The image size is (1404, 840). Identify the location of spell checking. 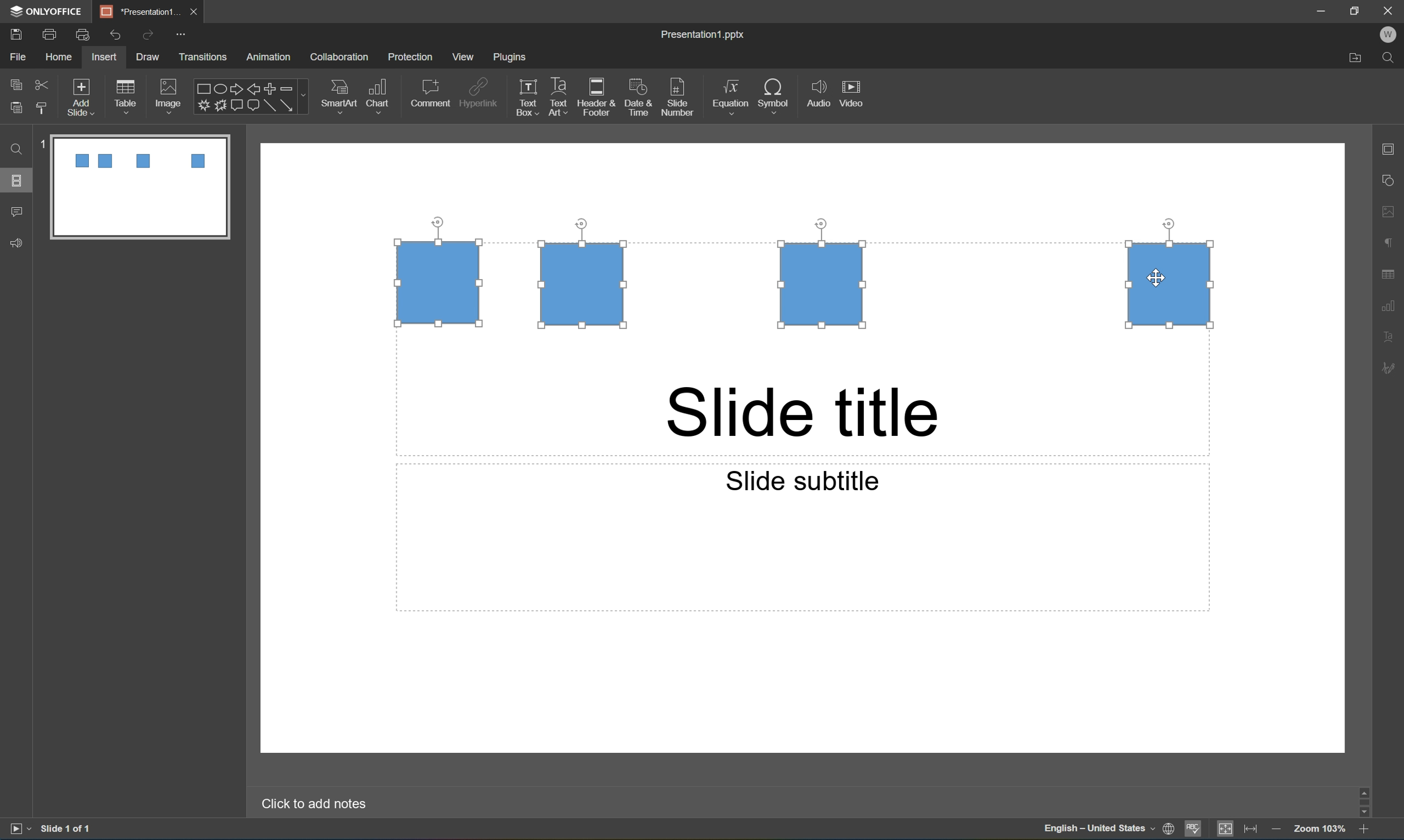
(1195, 830).